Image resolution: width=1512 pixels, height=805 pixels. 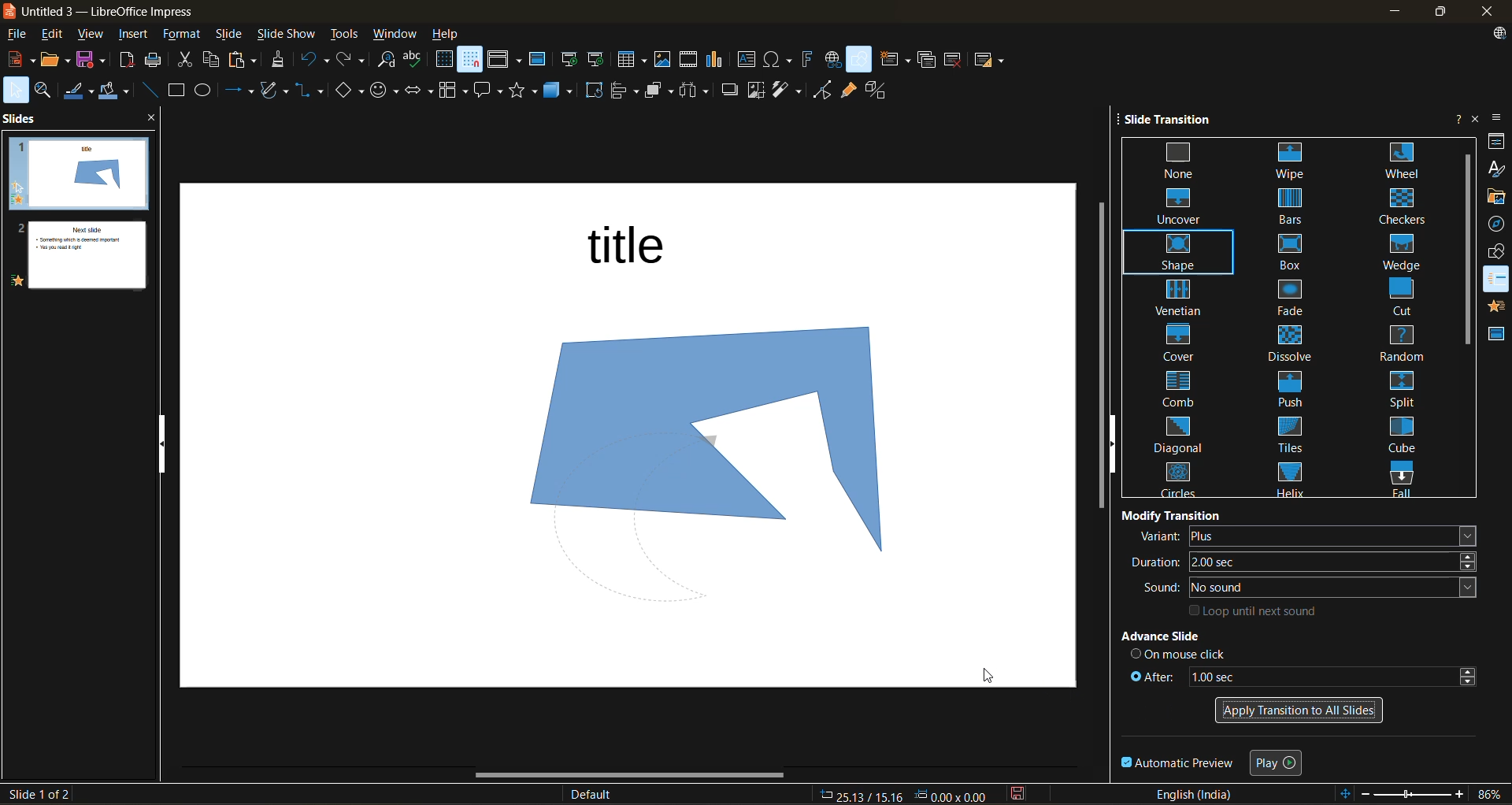 What do you see at coordinates (730, 91) in the screenshot?
I see `shadow` at bounding box center [730, 91].